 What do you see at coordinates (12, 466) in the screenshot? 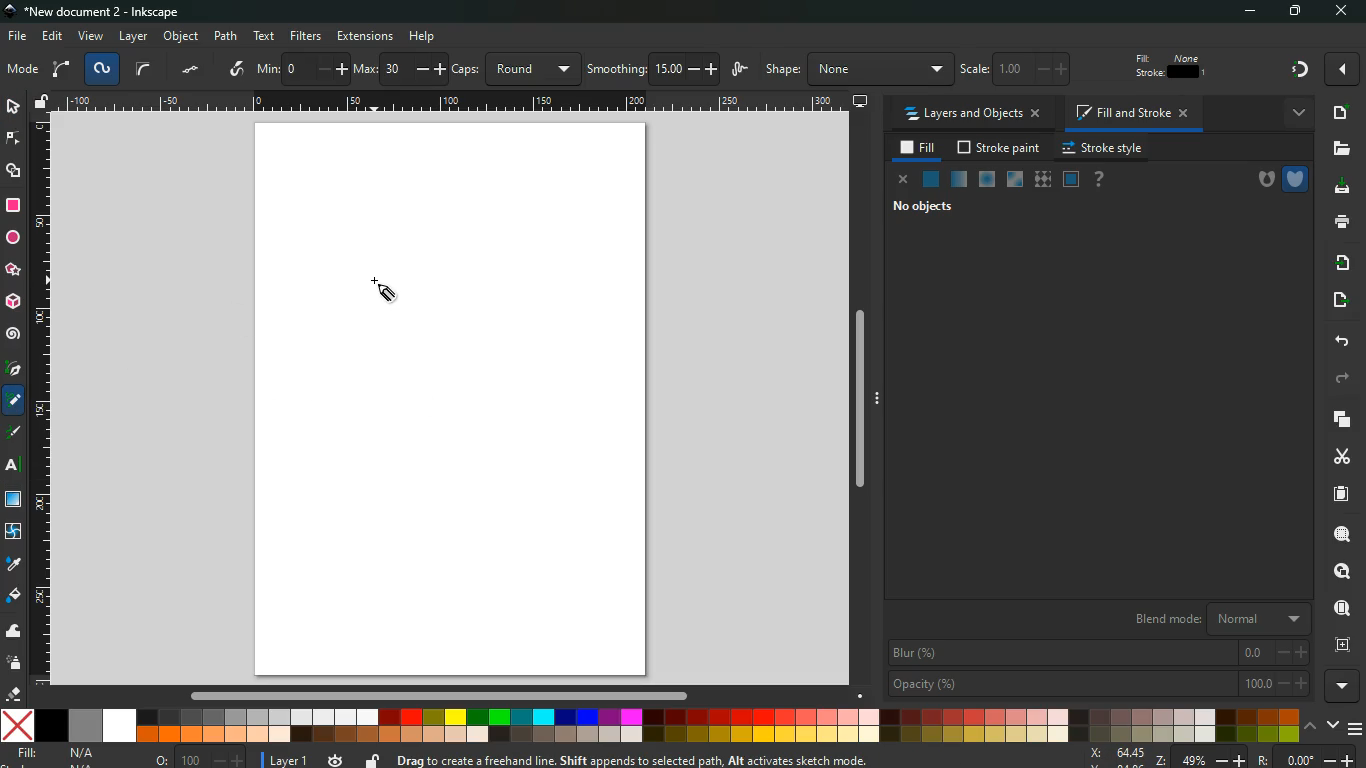
I see `` at bounding box center [12, 466].